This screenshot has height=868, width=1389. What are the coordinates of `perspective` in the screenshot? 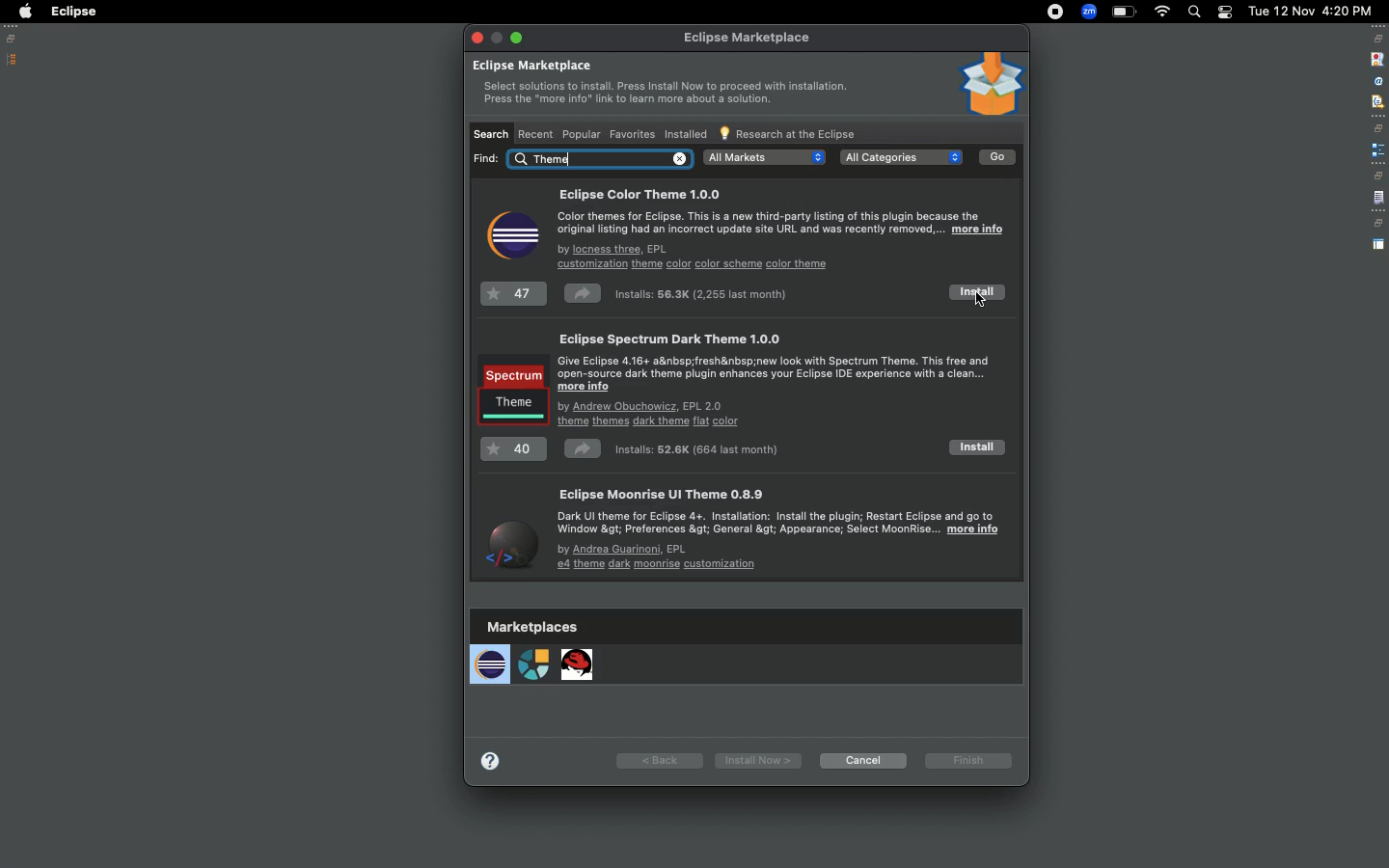 It's located at (1378, 245).